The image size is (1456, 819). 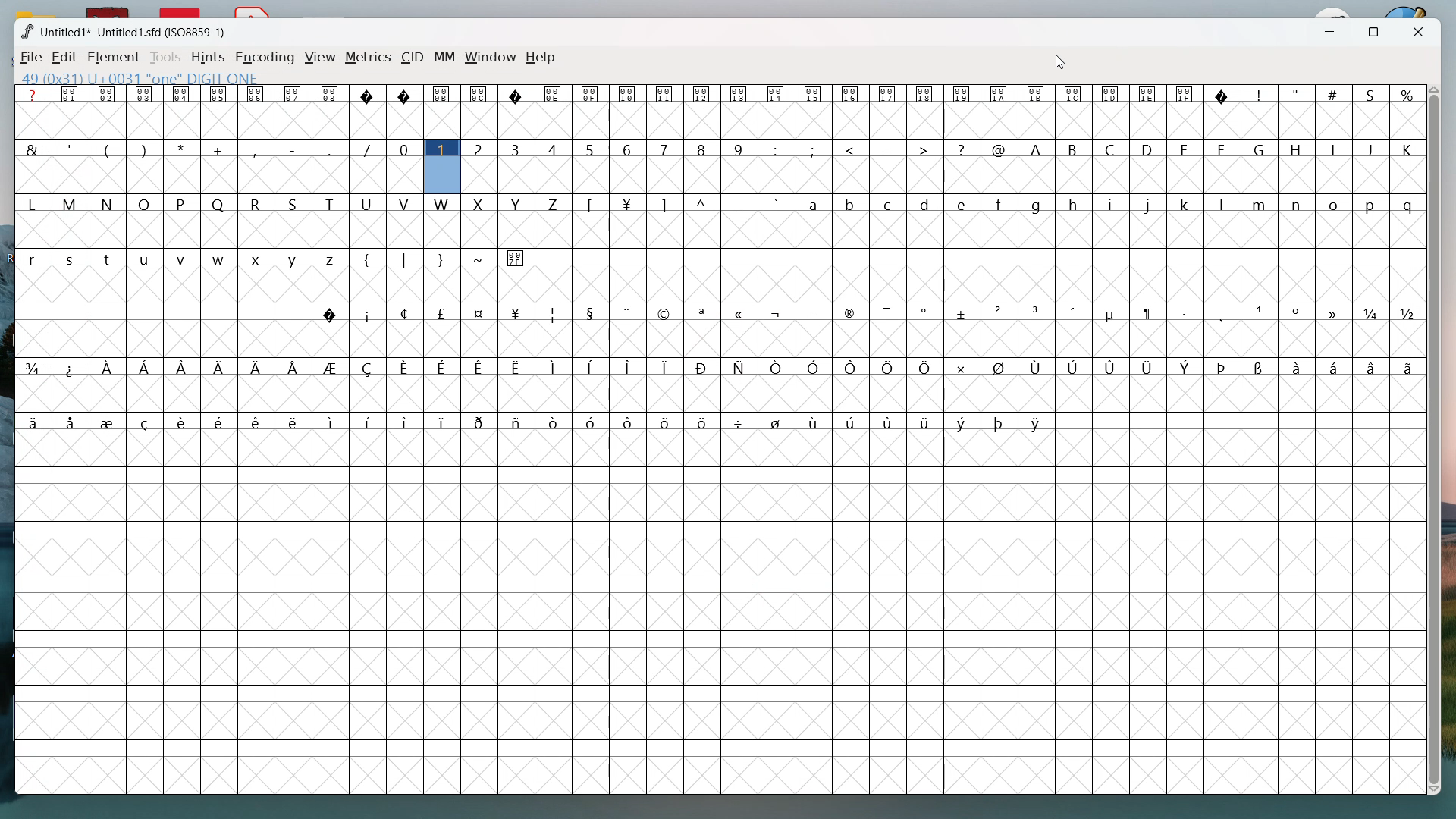 What do you see at coordinates (704, 421) in the screenshot?
I see `symbol` at bounding box center [704, 421].